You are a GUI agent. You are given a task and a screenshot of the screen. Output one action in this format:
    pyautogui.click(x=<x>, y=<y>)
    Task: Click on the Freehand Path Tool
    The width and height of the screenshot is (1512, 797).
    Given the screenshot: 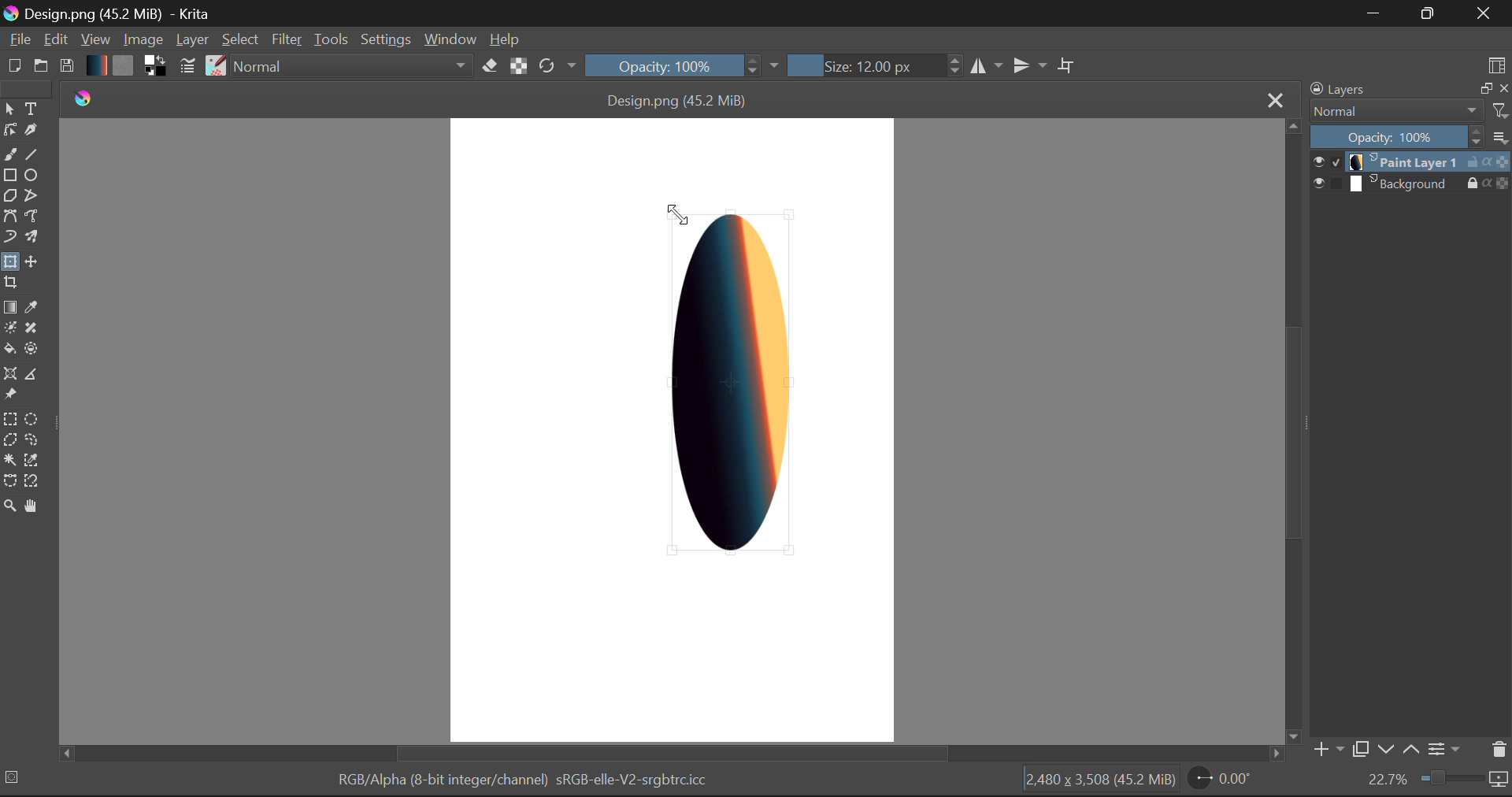 What is the action you would take?
    pyautogui.click(x=32, y=217)
    